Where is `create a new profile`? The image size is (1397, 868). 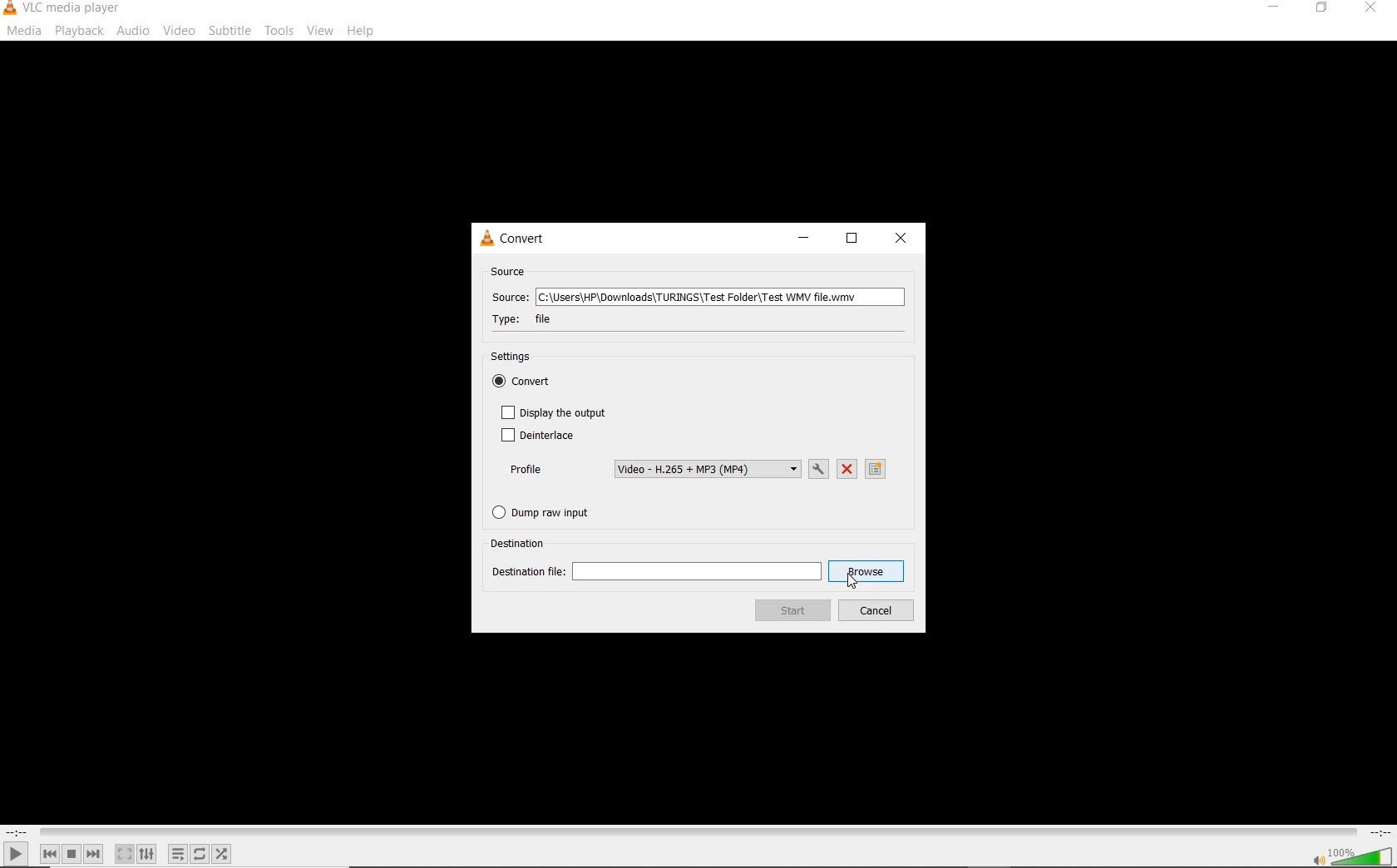 create a new profile is located at coordinates (877, 469).